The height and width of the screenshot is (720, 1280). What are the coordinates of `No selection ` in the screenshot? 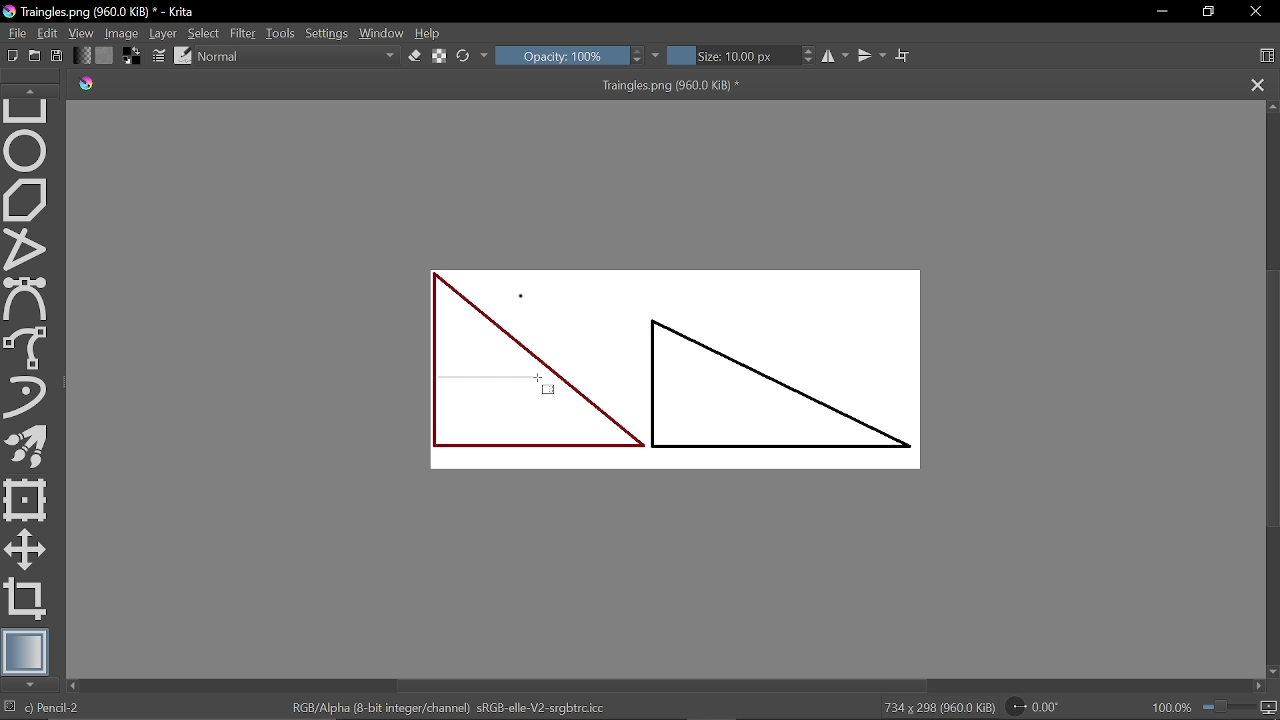 It's located at (8, 708).